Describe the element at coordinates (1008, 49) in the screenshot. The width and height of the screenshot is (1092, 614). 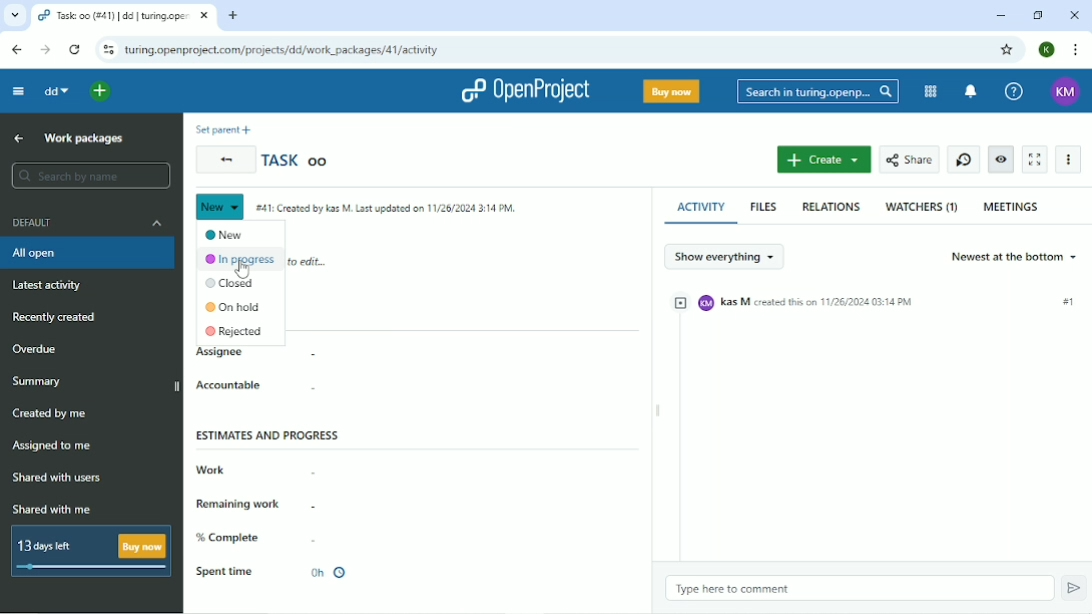
I see `Bookmark this tab` at that location.